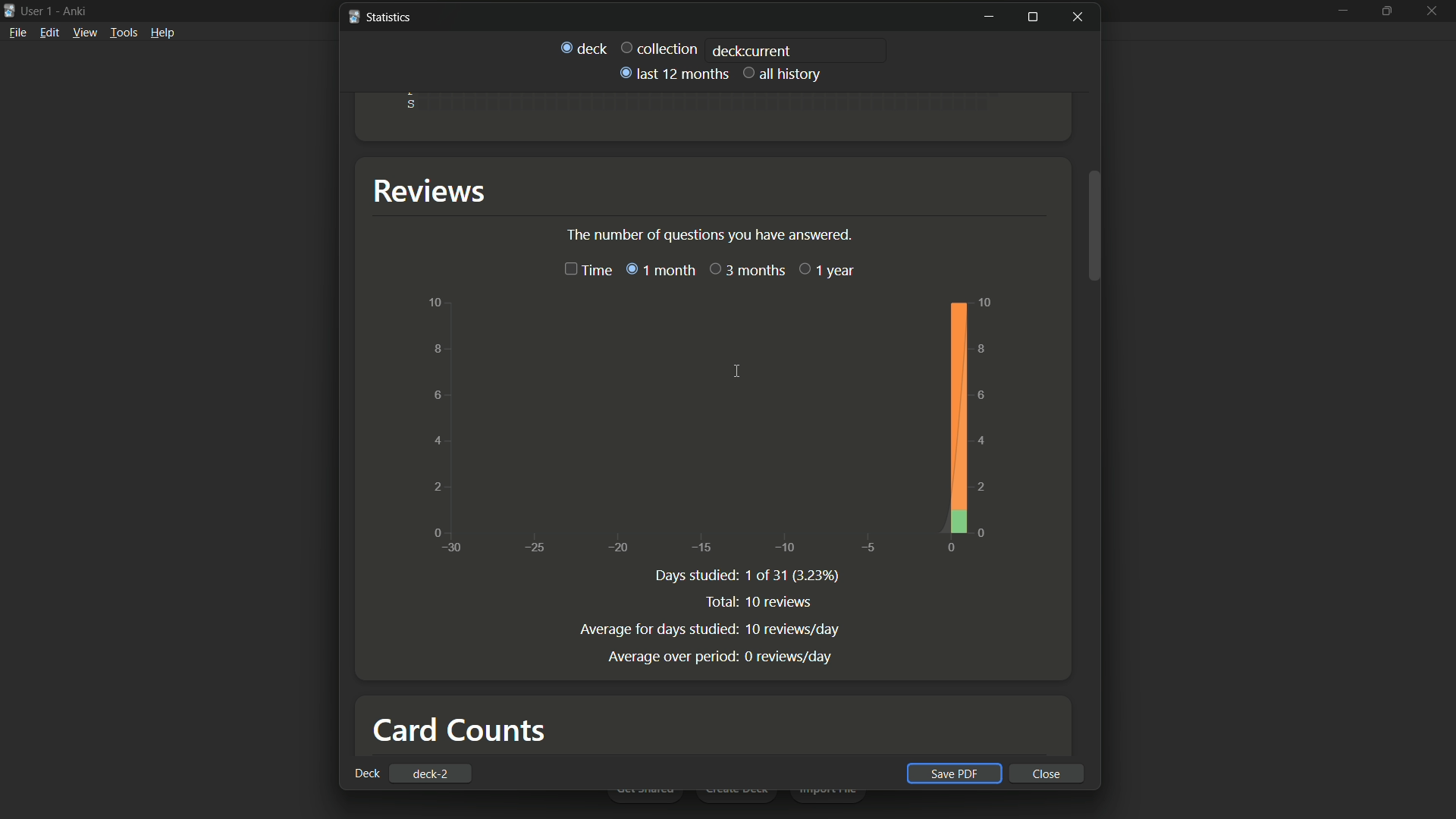  What do you see at coordinates (709, 233) in the screenshot?
I see `The number of questions you have answered` at bounding box center [709, 233].